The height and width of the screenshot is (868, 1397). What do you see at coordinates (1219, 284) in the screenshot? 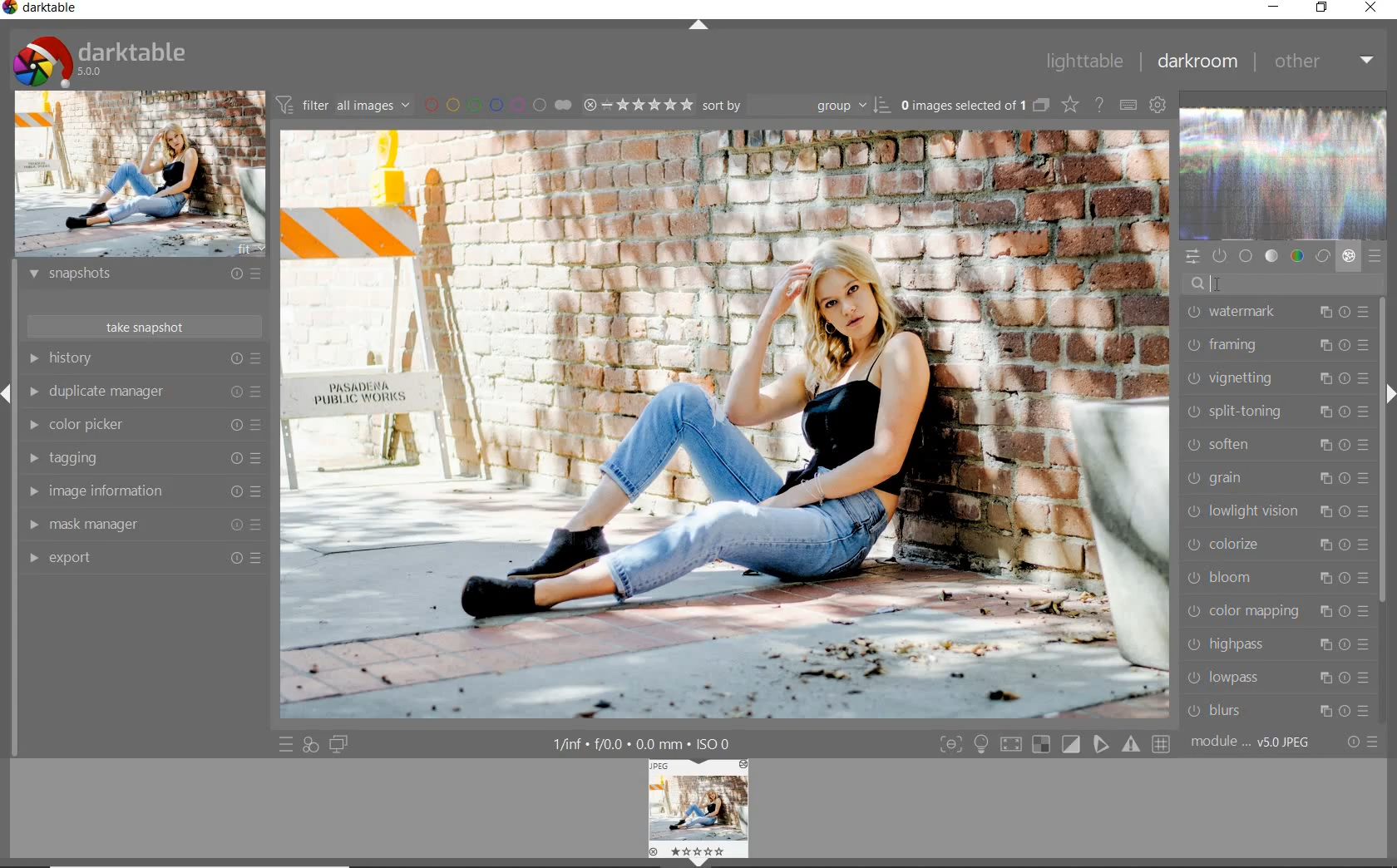
I see `cursor` at bounding box center [1219, 284].